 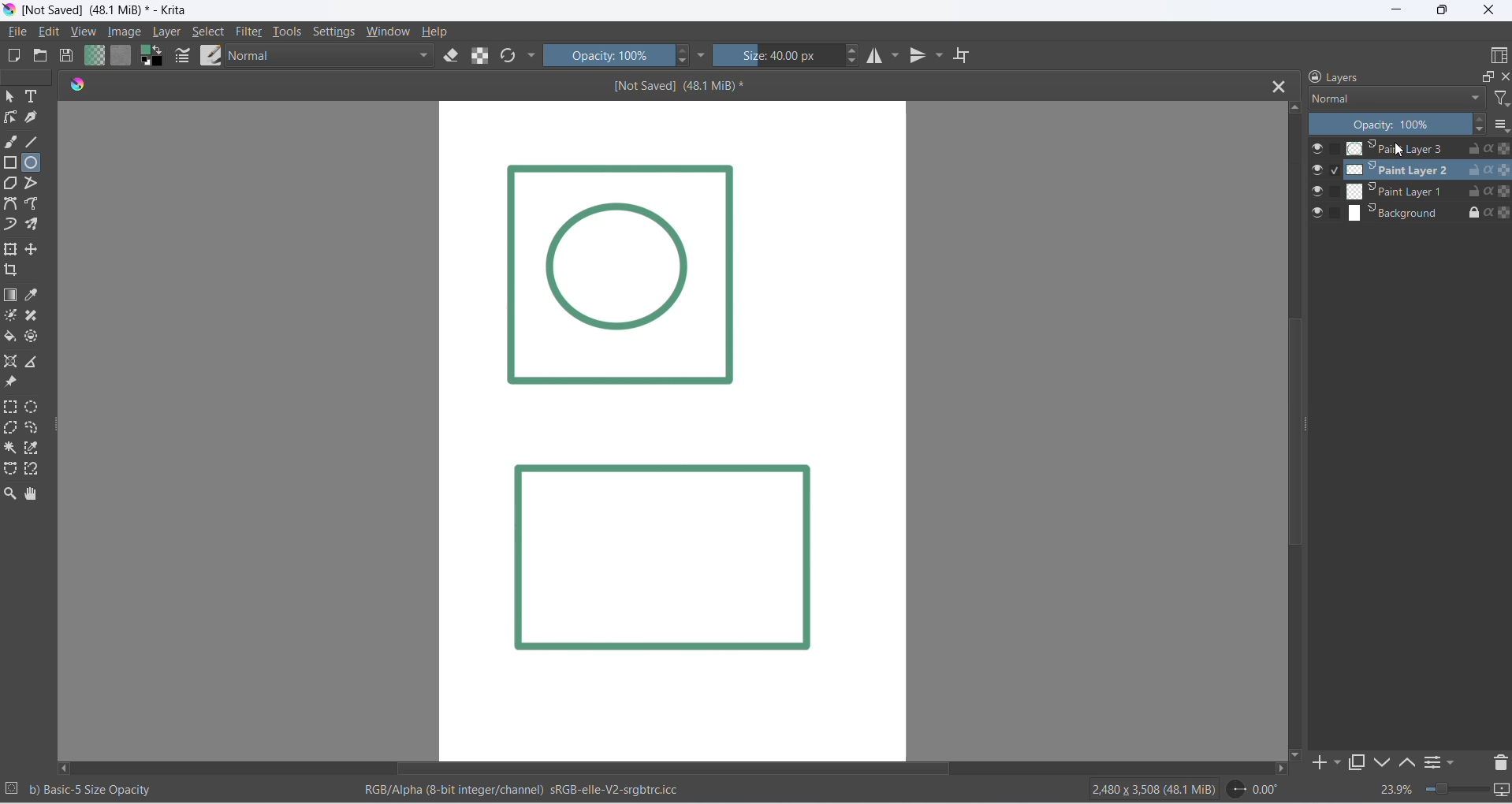 I want to click on freehand brush tool, so click(x=11, y=143).